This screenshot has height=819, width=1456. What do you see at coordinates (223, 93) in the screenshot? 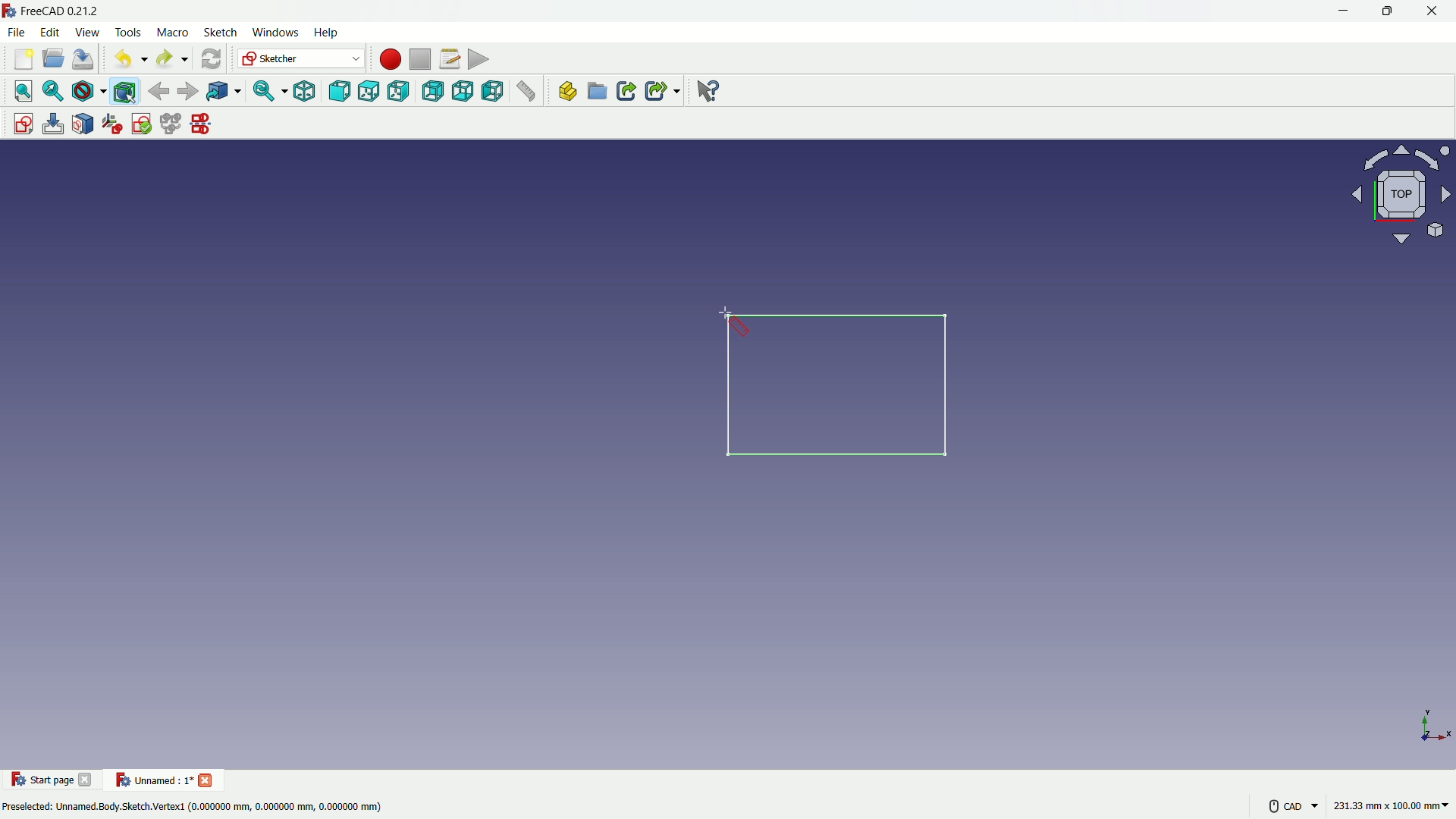
I see `go to linked object` at bounding box center [223, 93].